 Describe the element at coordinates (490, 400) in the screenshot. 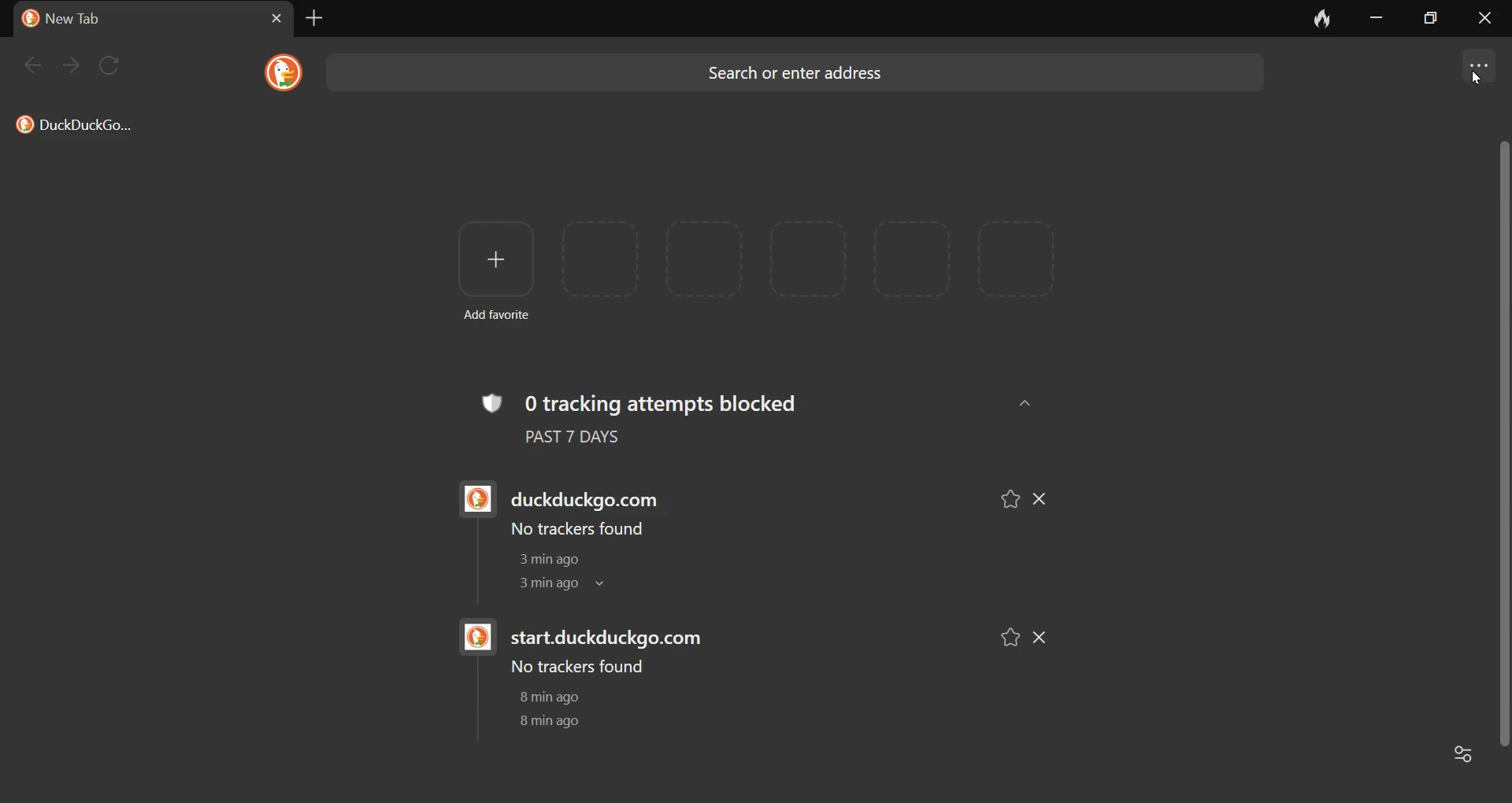

I see `tracking logo` at that location.